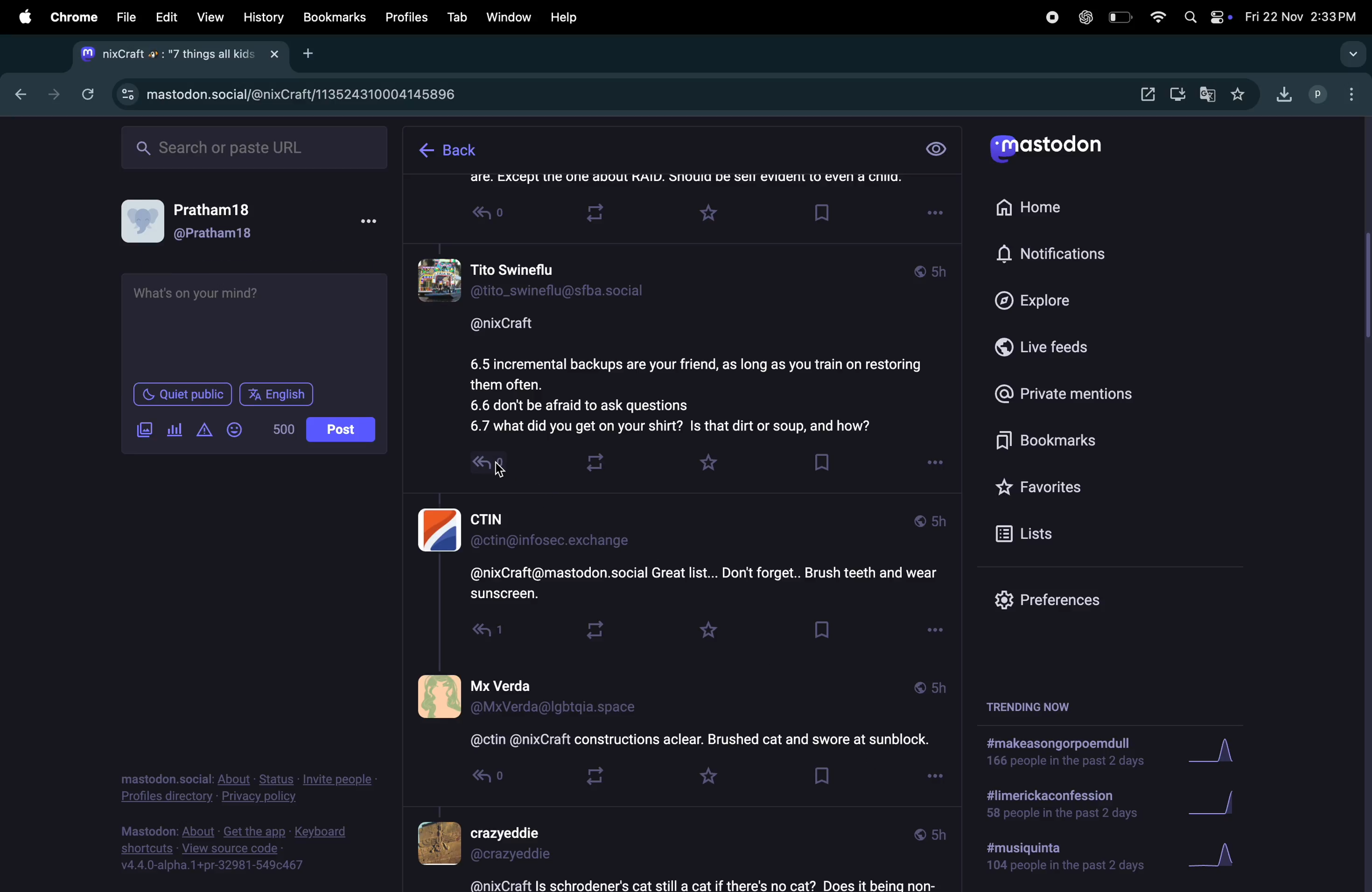 The height and width of the screenshot is (892, 1372). What do you see at coordinates (72, 17) in the screenshot?
I see `chrome` at bounding box center [72, 17].